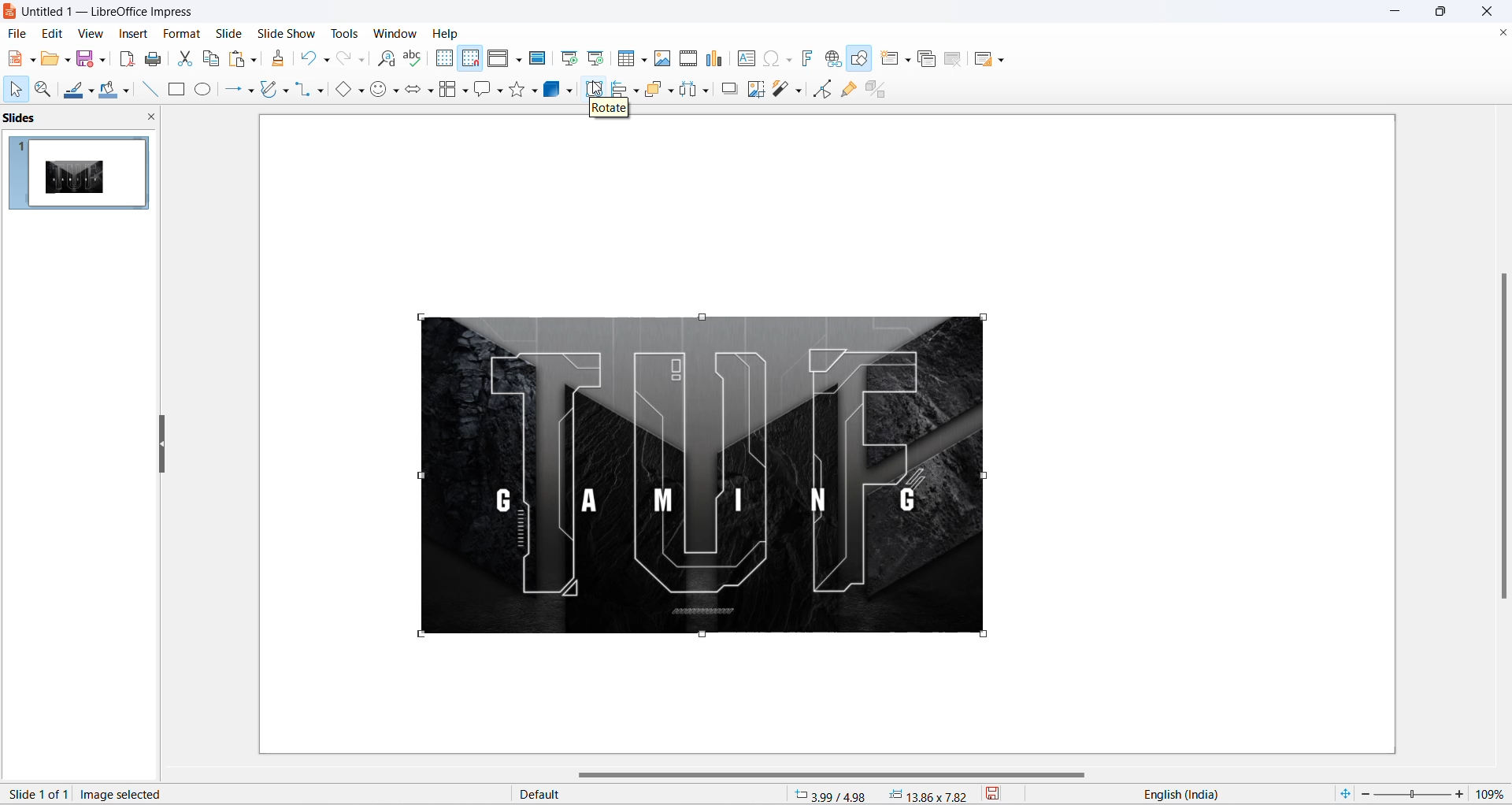 The height and width of the screenshot is (805, 1512). What do you see at coordinates (1492, 11) in the screenshot?
I see `close` at bounding box center [1492, 11].